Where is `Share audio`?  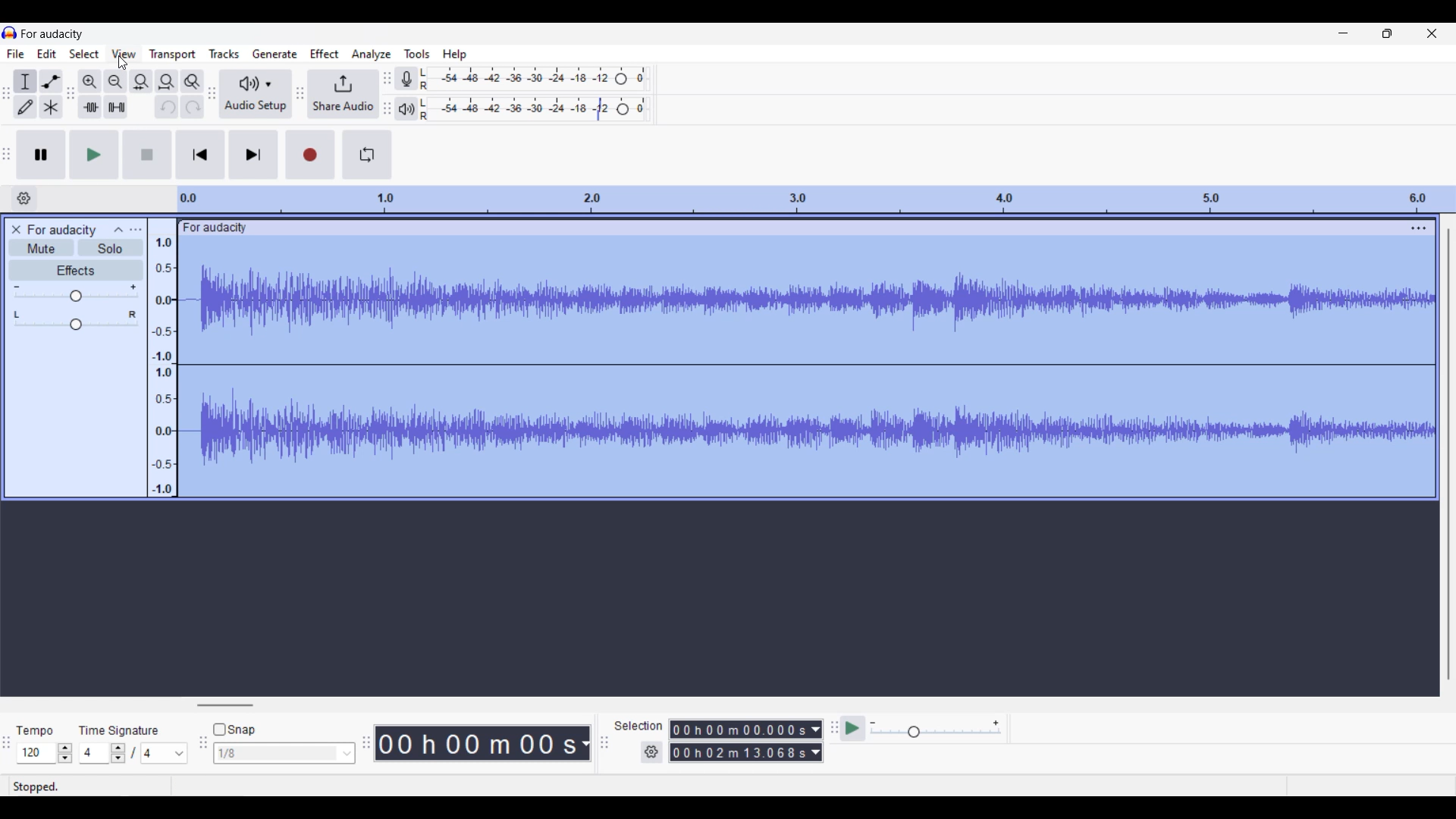
Share audio is located at coordinates (343, 95).